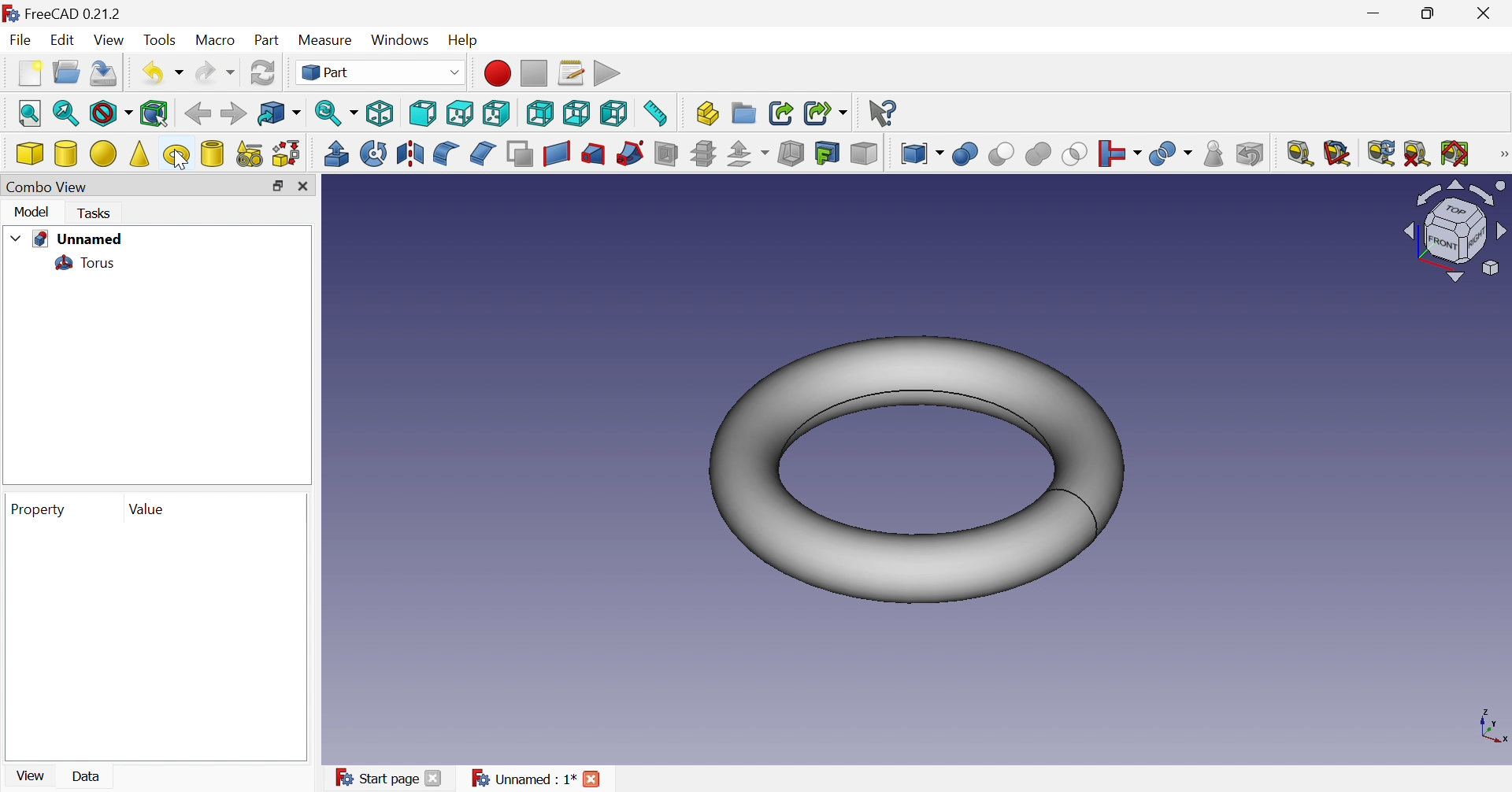 The width and height of the screenshot is (1512, 792). What do you see at coordinates (20, 41) in the screenshot?
I see `File` at bounding box center [20, 41].